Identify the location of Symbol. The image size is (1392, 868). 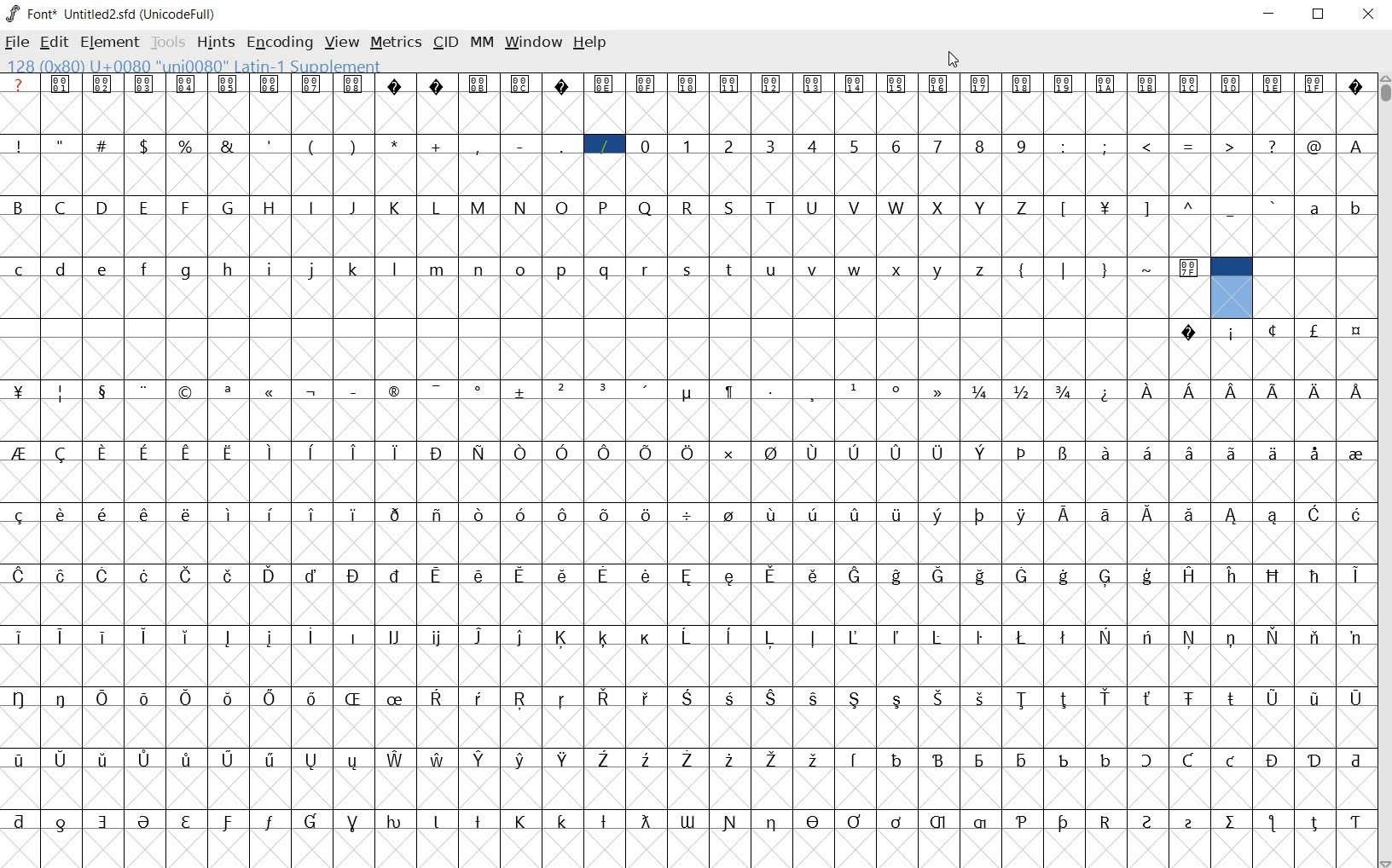
(1107, 576).